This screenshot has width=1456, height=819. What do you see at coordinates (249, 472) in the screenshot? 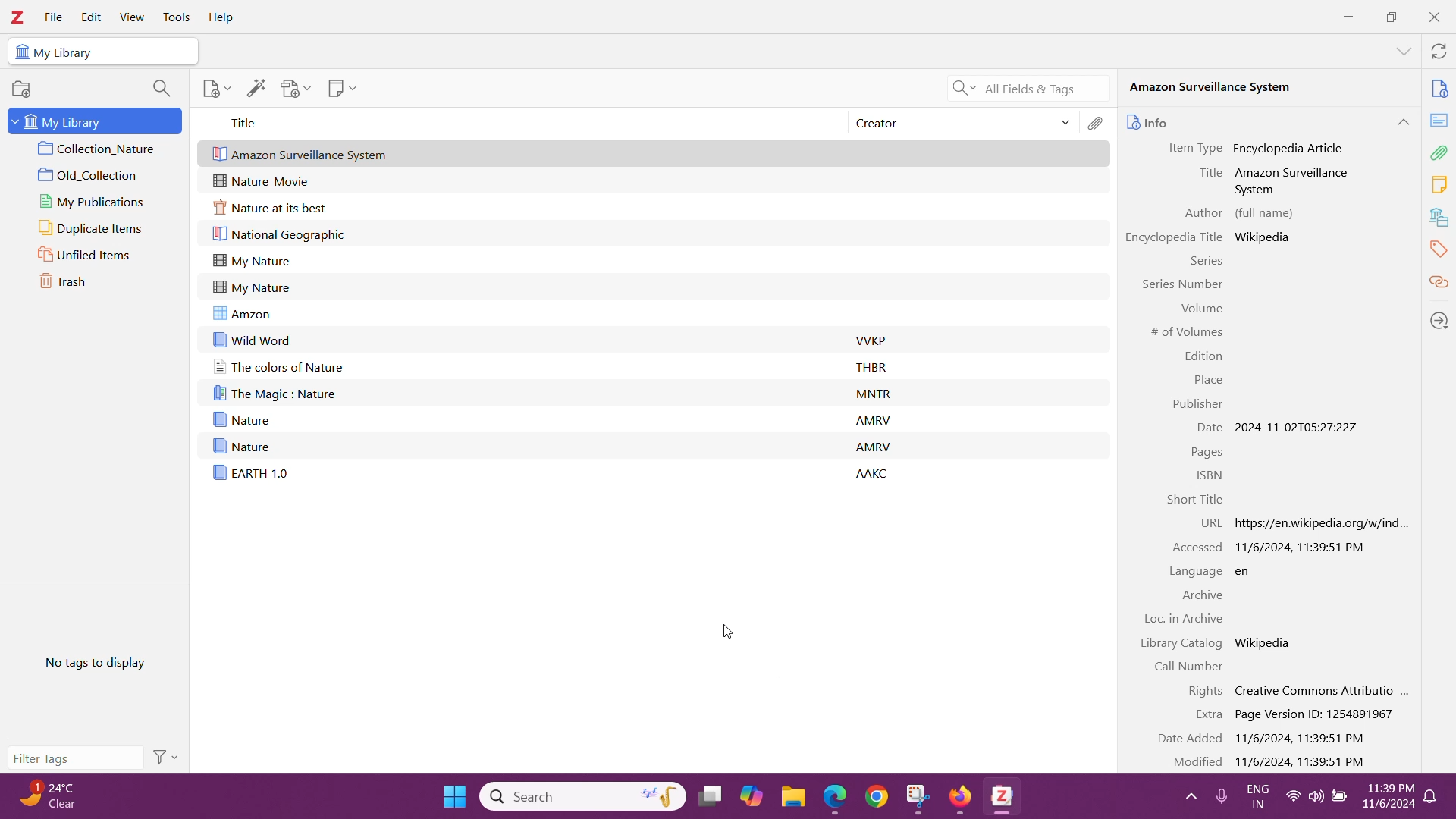
I see `EARTH 1.0` at bounding box center [249, 472].